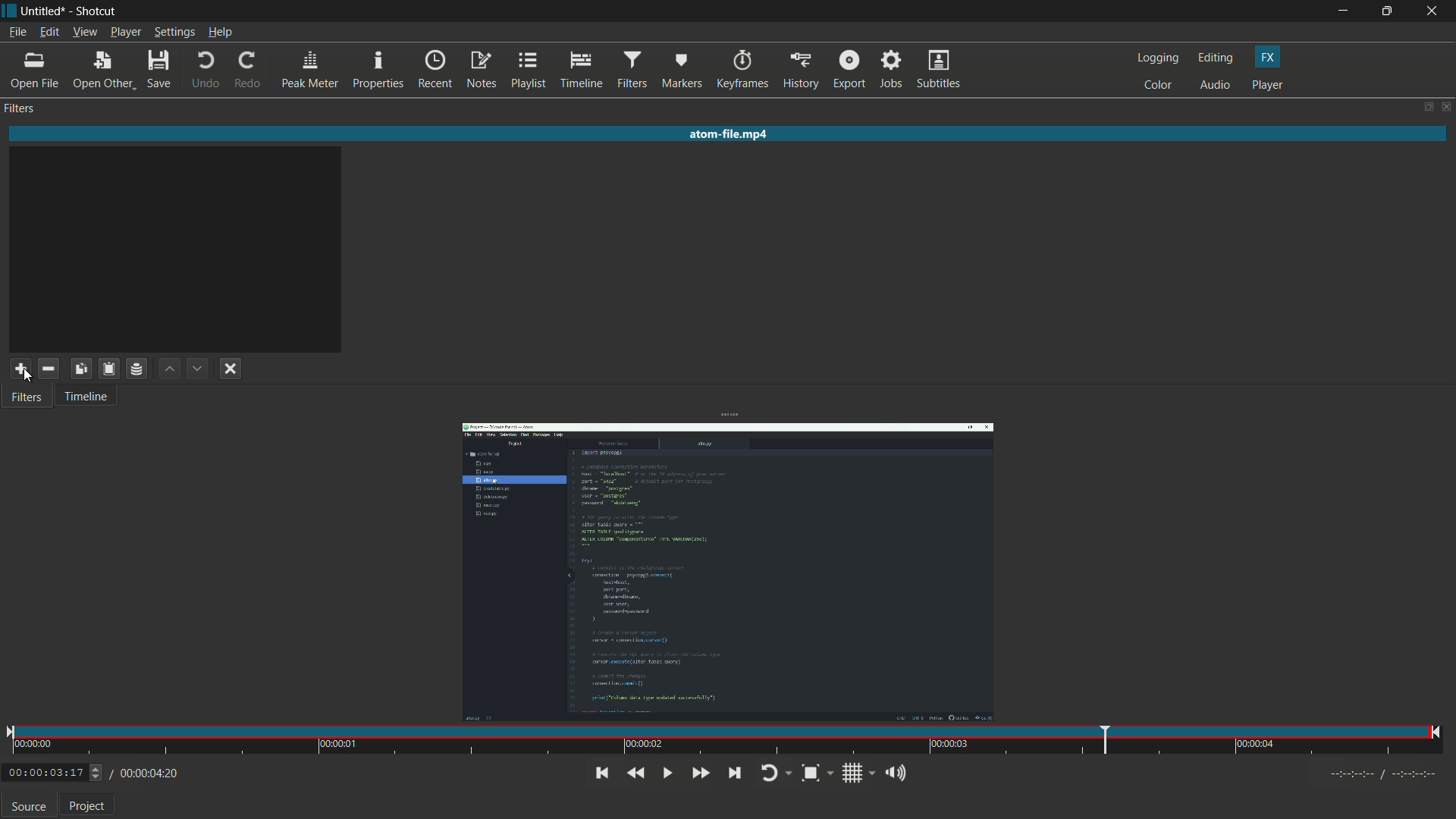  I want to click on toggle zoom, so click(817, 774).